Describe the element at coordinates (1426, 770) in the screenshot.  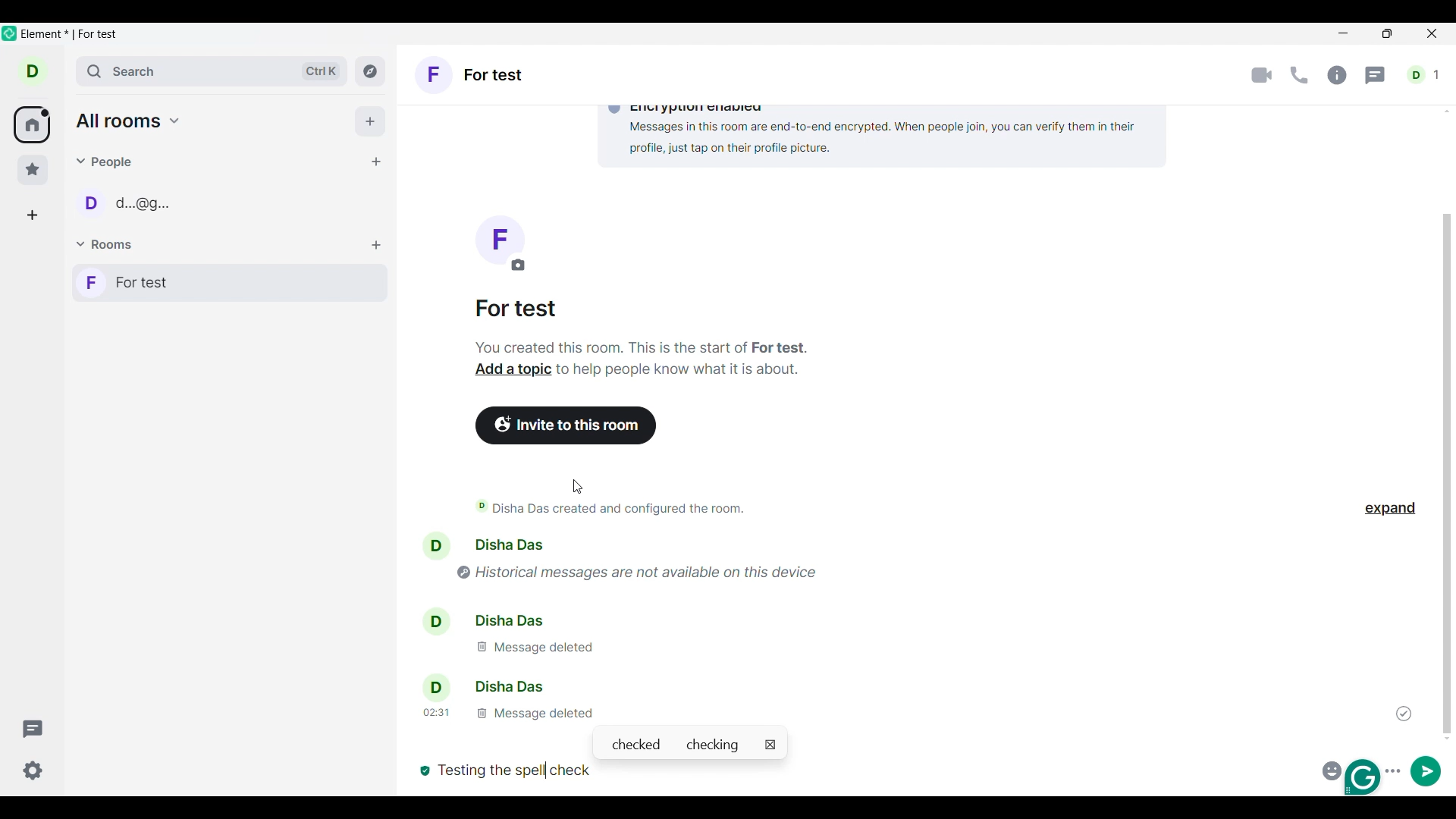
I see `Send typed message` at that location.